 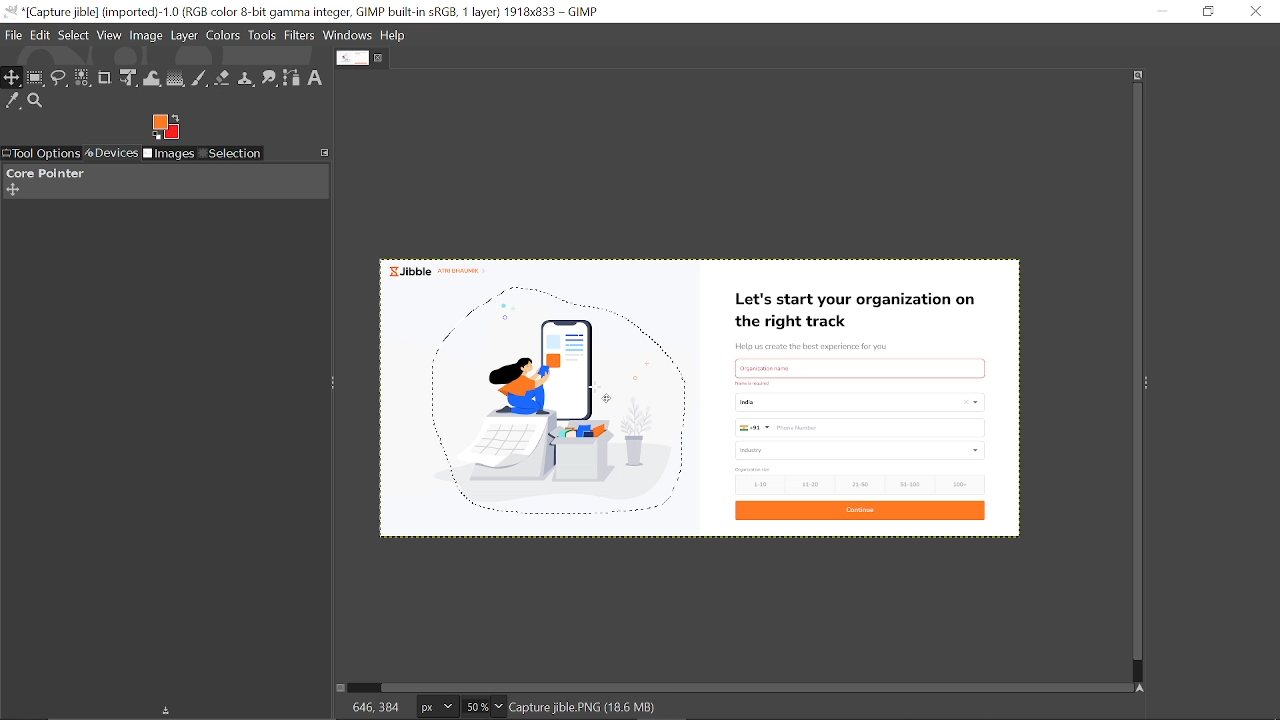 I want to click on Vertical scrollbar, so click(x=1134, y=373).